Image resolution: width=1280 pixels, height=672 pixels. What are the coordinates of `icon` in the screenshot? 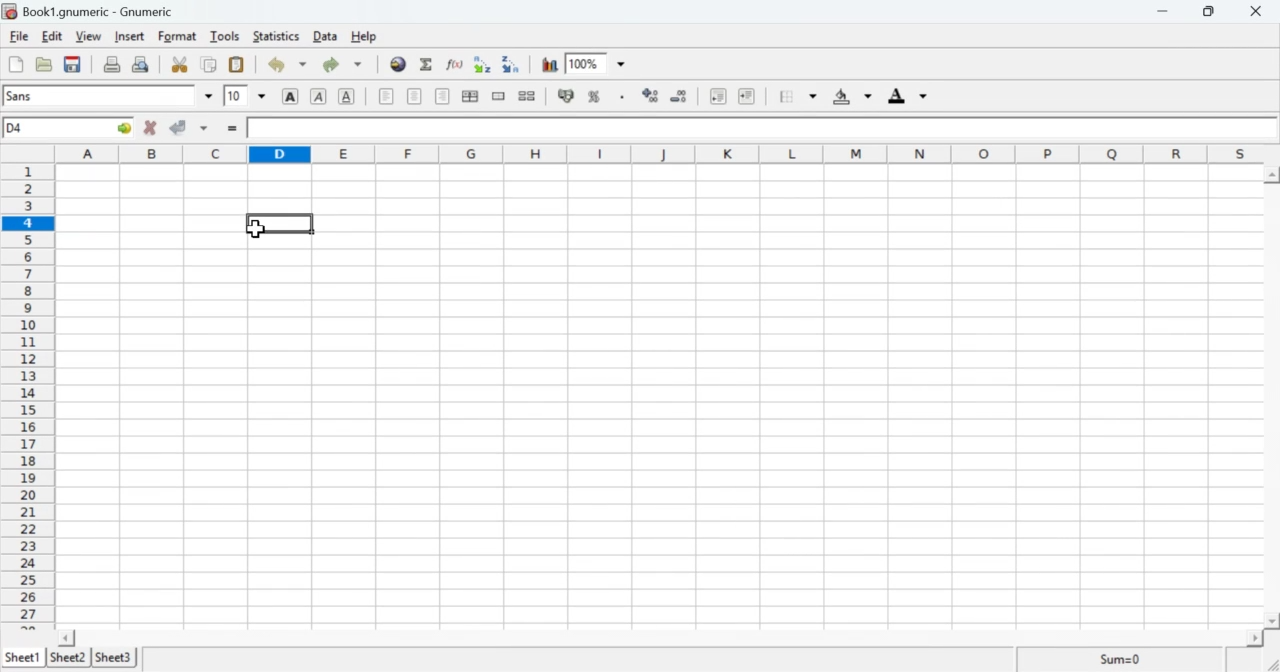 It's located at (10, 11).